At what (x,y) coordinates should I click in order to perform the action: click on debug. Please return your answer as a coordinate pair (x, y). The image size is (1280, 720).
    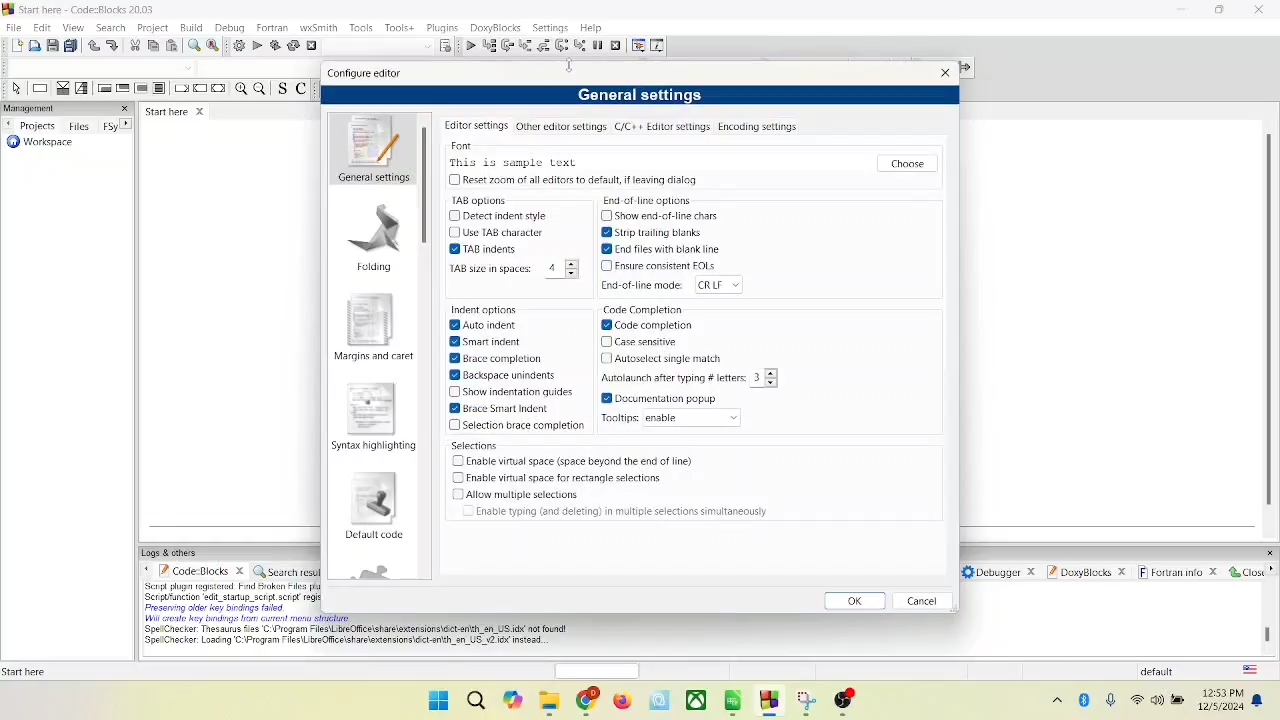
    Looking at the image, I should click on (467, 46).